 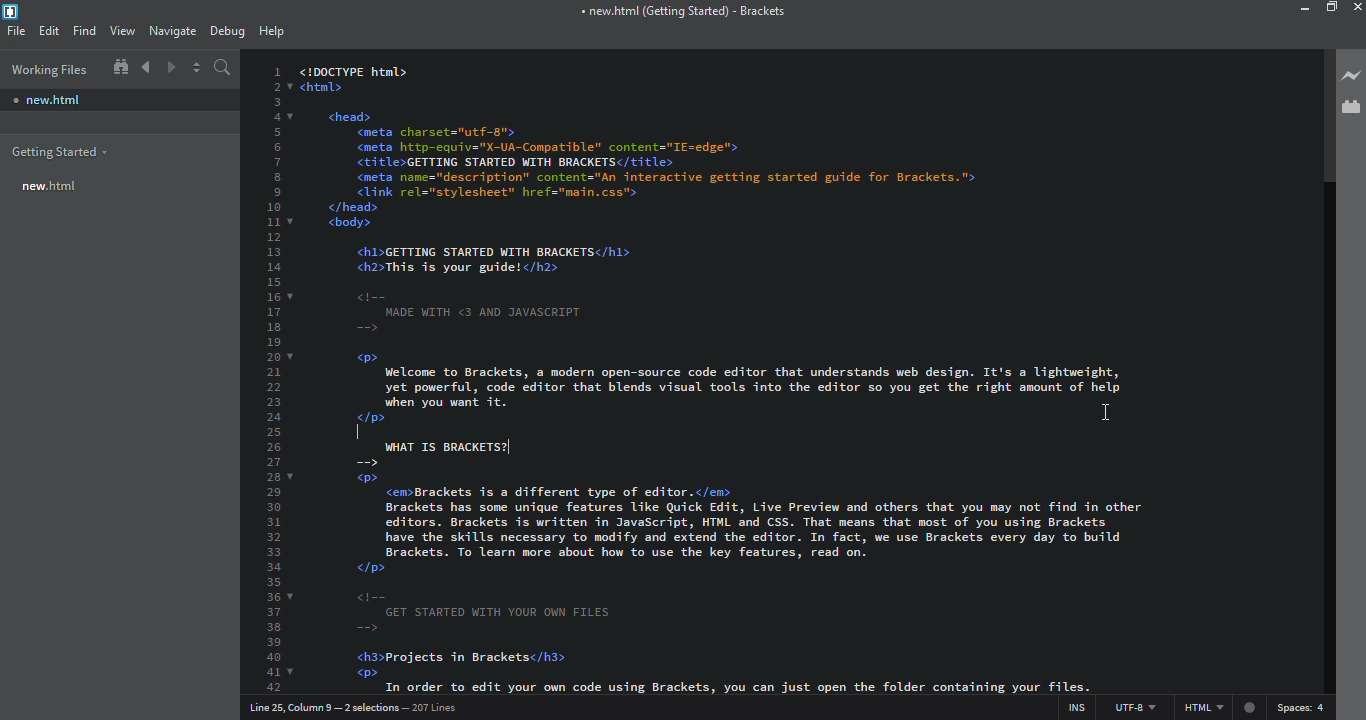 I want to click on navigate, so click(x=171, y=28).